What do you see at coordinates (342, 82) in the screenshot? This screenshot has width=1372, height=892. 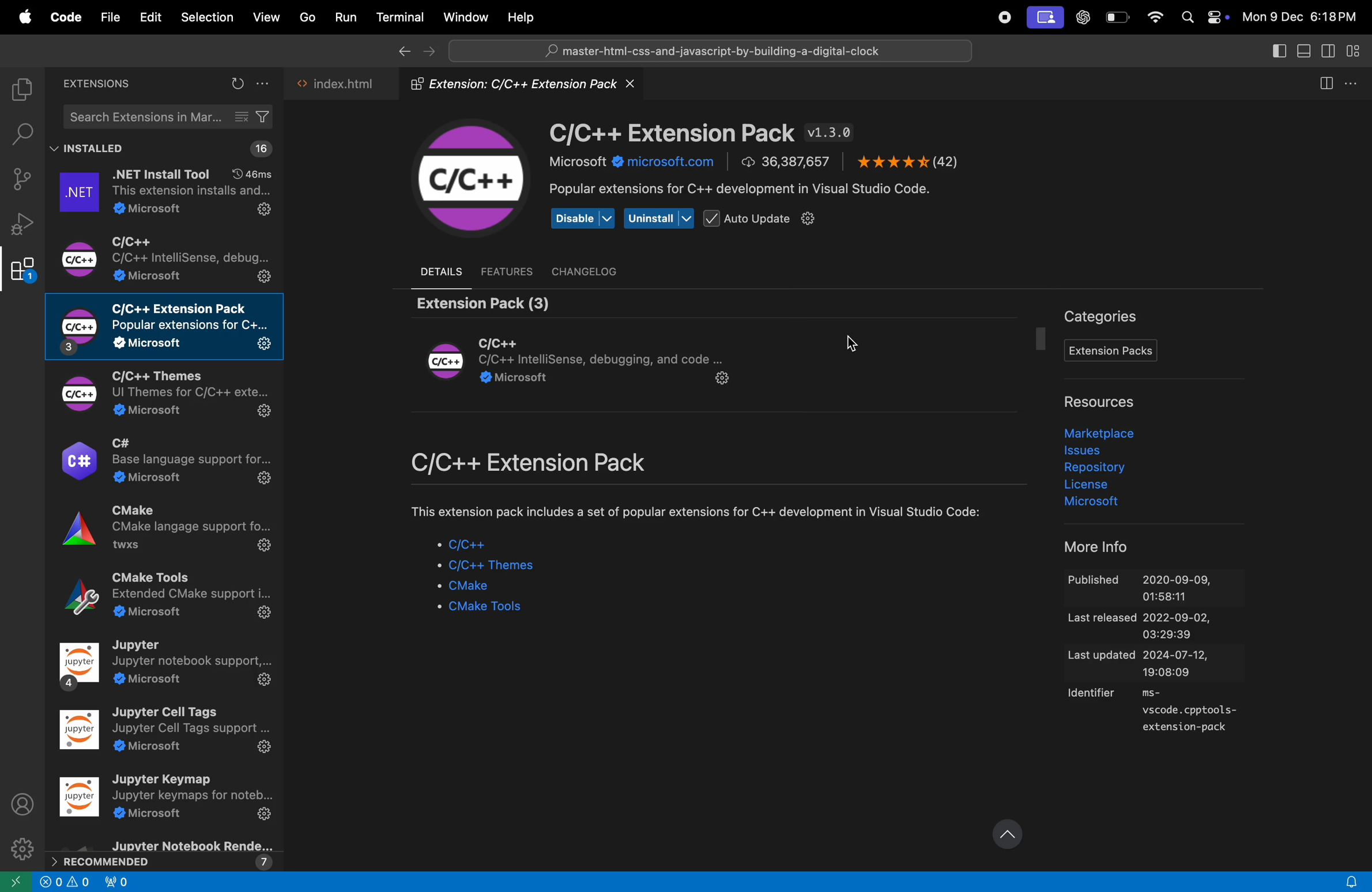 I see `index.html` at bounding box center [342, 82].